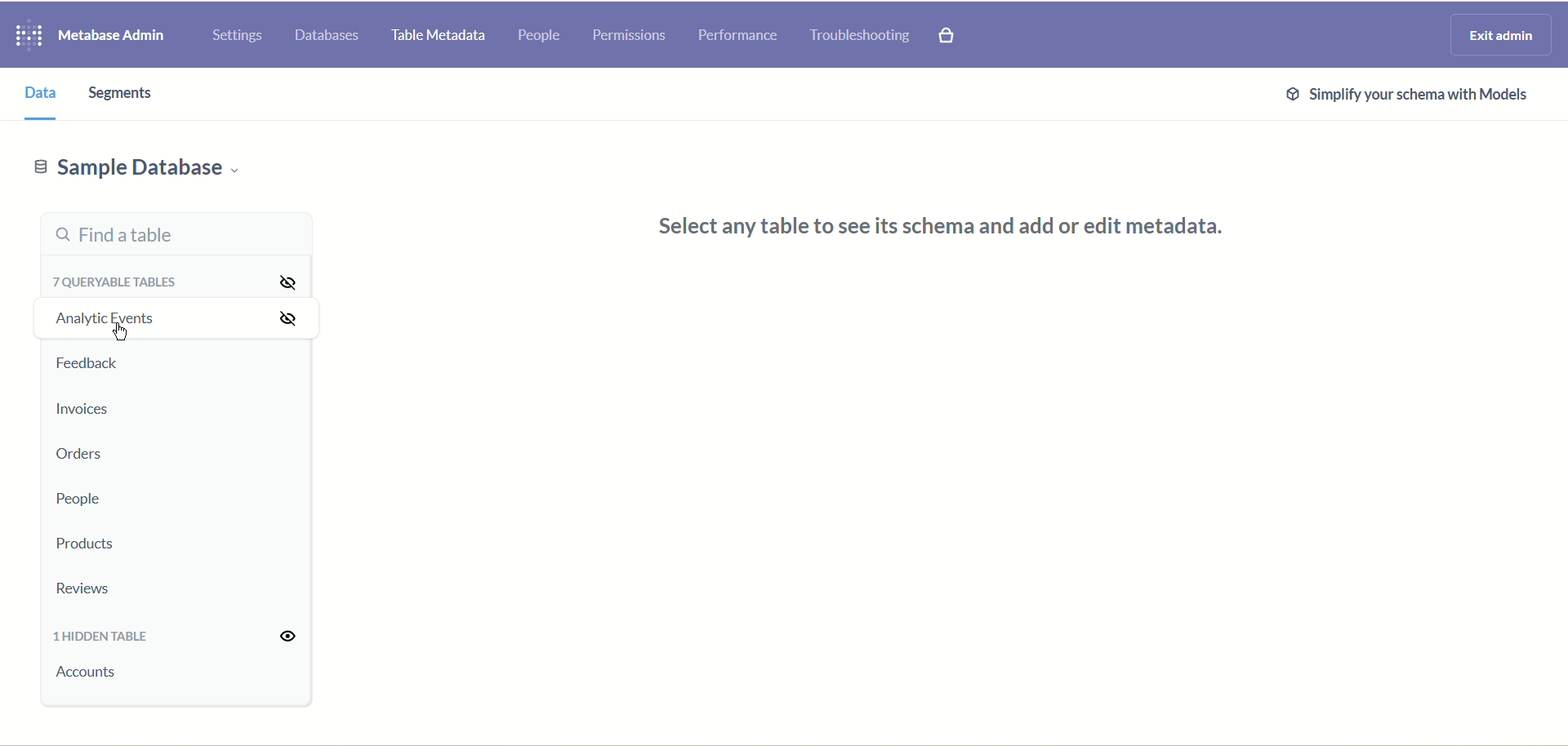 The width and height of the screenshot is (1568, 746). I want to click on simplify your schema with models, so click(1410, 96).